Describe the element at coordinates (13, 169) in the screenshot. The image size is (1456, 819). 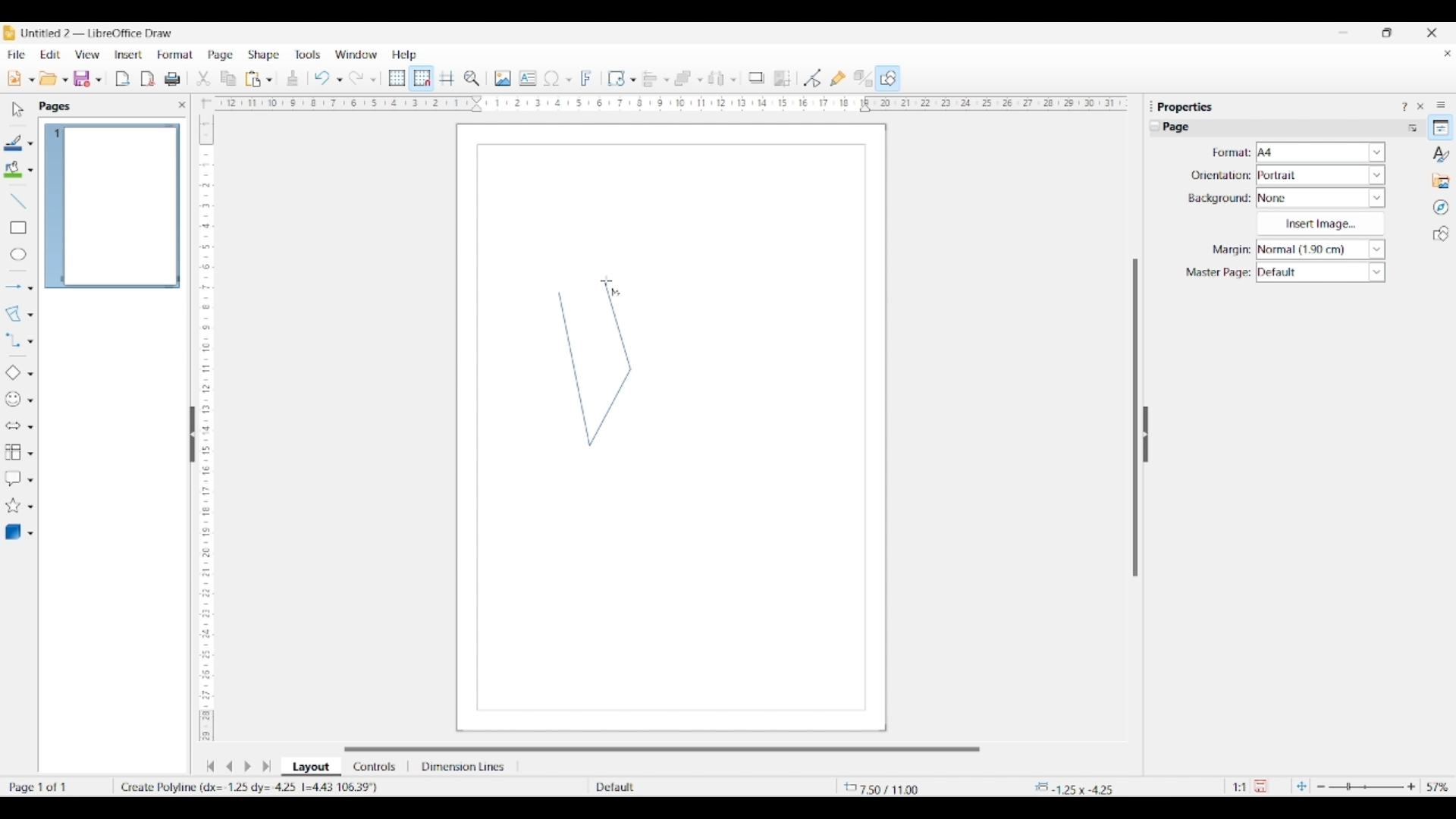
I see `Selected fill color` at that location.